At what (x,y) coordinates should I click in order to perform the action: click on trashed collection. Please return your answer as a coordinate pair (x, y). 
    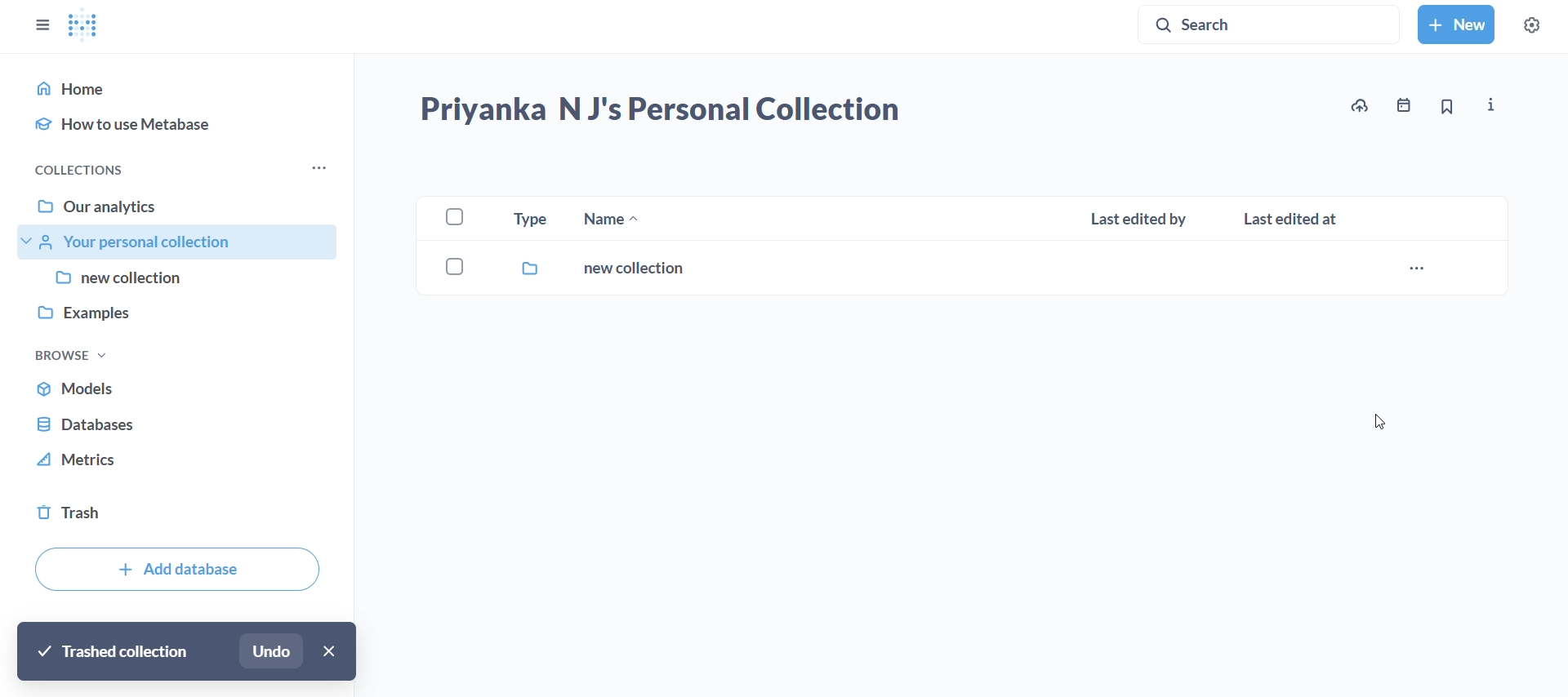
    Looking at the image, I should click on (108, 652).